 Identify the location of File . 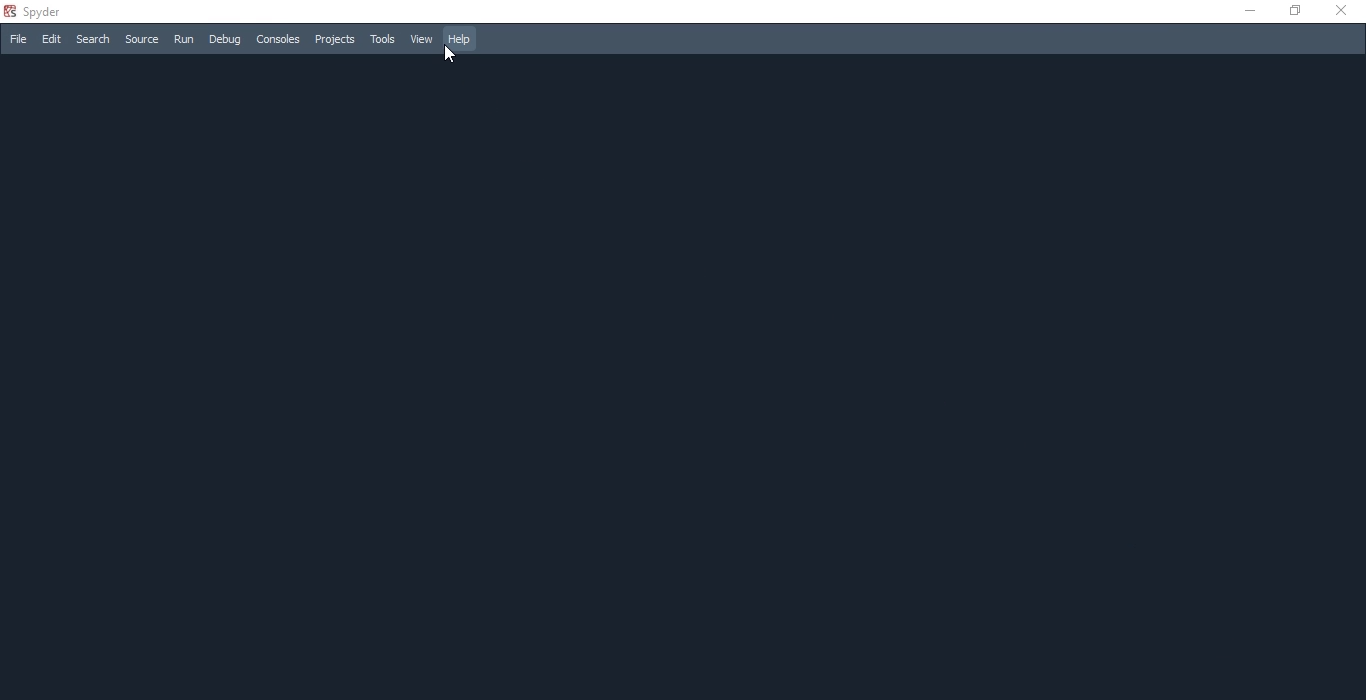
(16, 39).